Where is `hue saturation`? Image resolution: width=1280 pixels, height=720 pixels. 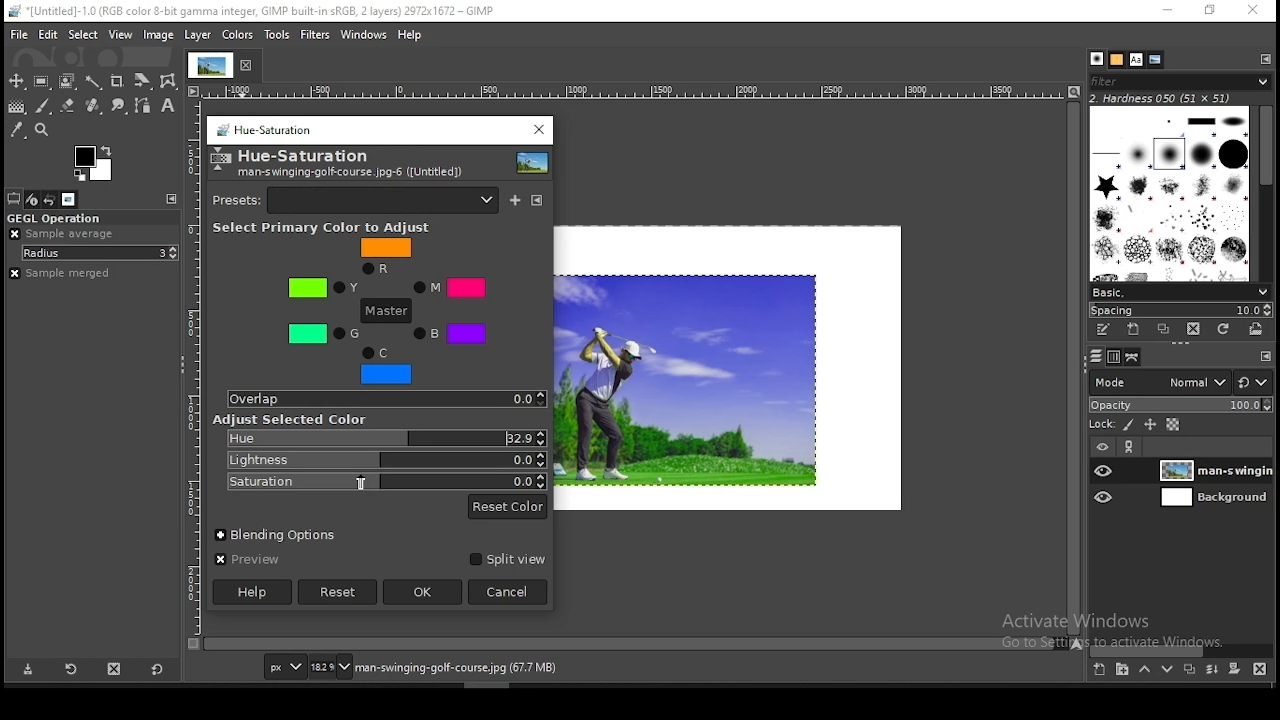
hue saturation is located at coordinates (264, 131).